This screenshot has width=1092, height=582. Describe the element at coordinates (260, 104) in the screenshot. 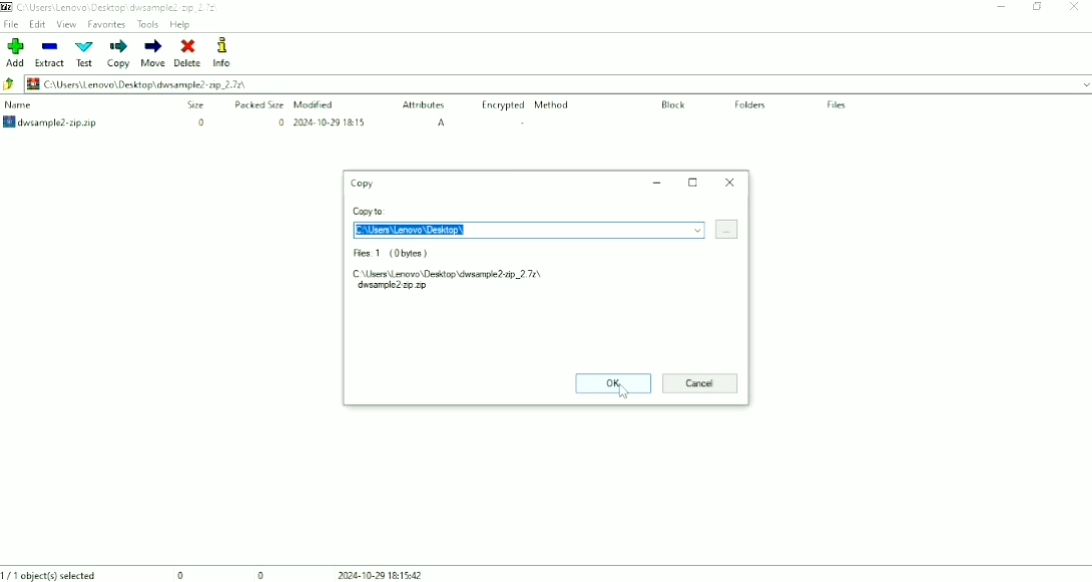

I see `Packed Size` at that location.